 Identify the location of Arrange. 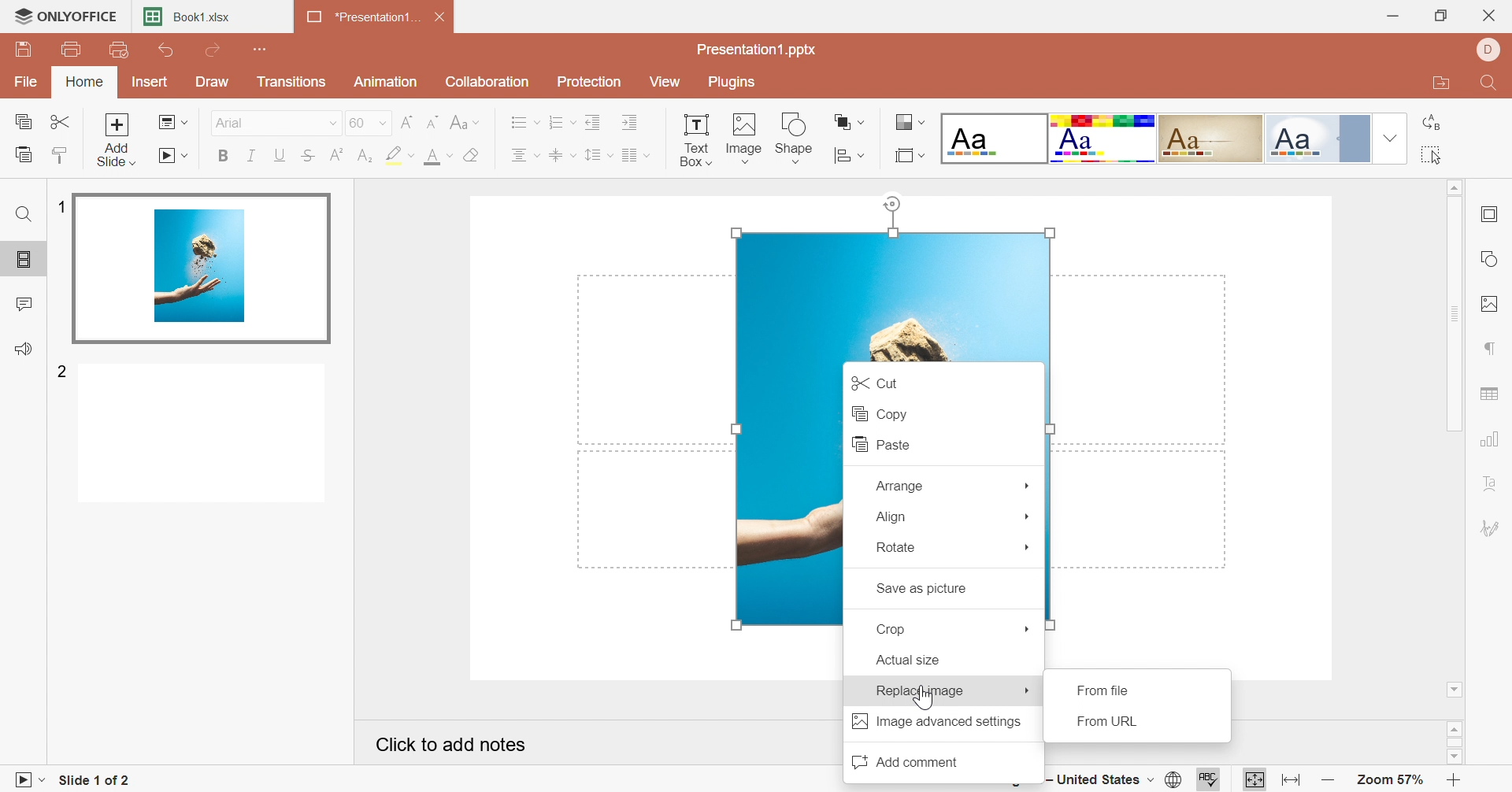
(898, 485).